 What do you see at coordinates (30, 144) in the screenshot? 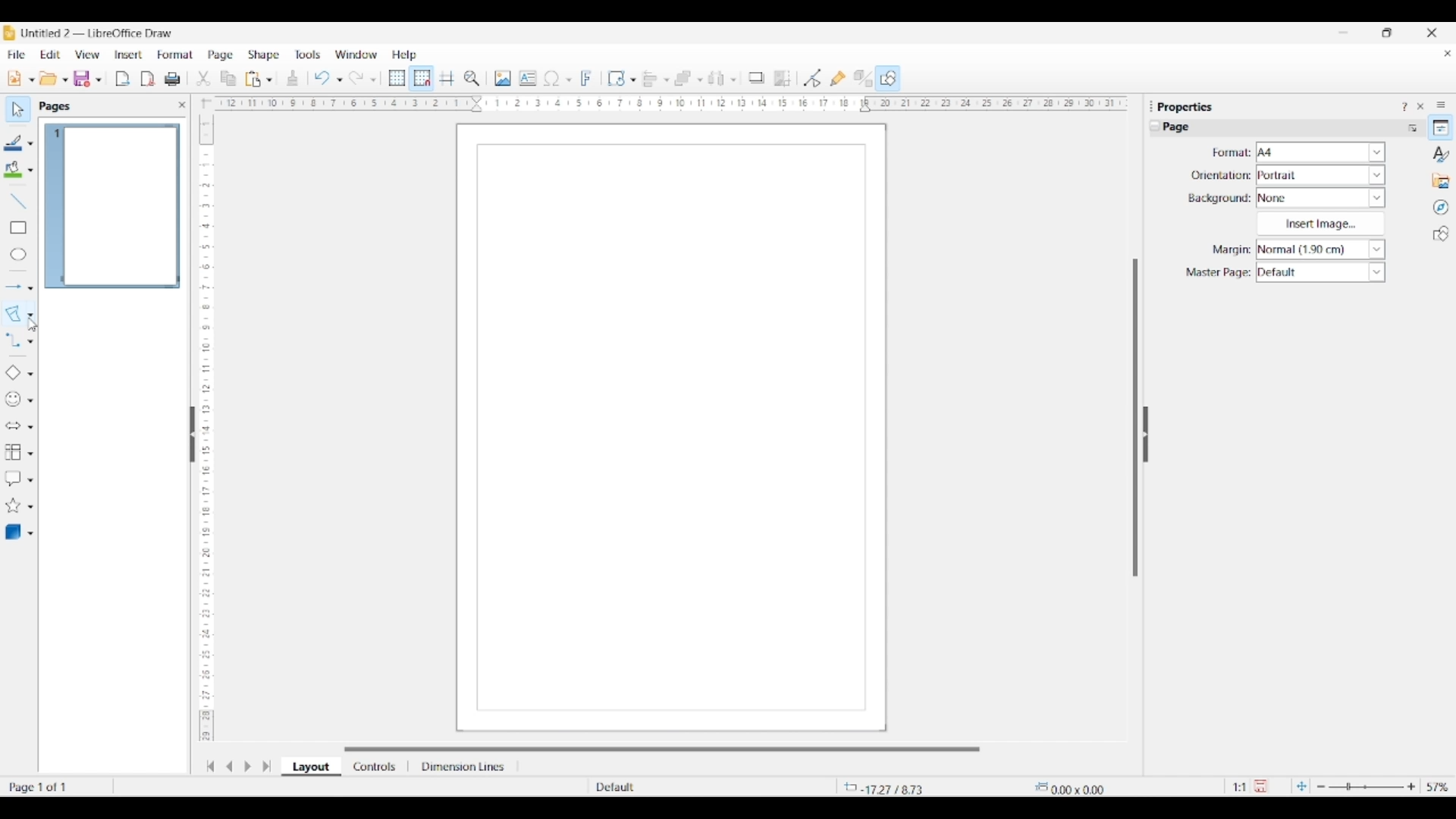
I see `Line color options` at bounding box center [30, 144].